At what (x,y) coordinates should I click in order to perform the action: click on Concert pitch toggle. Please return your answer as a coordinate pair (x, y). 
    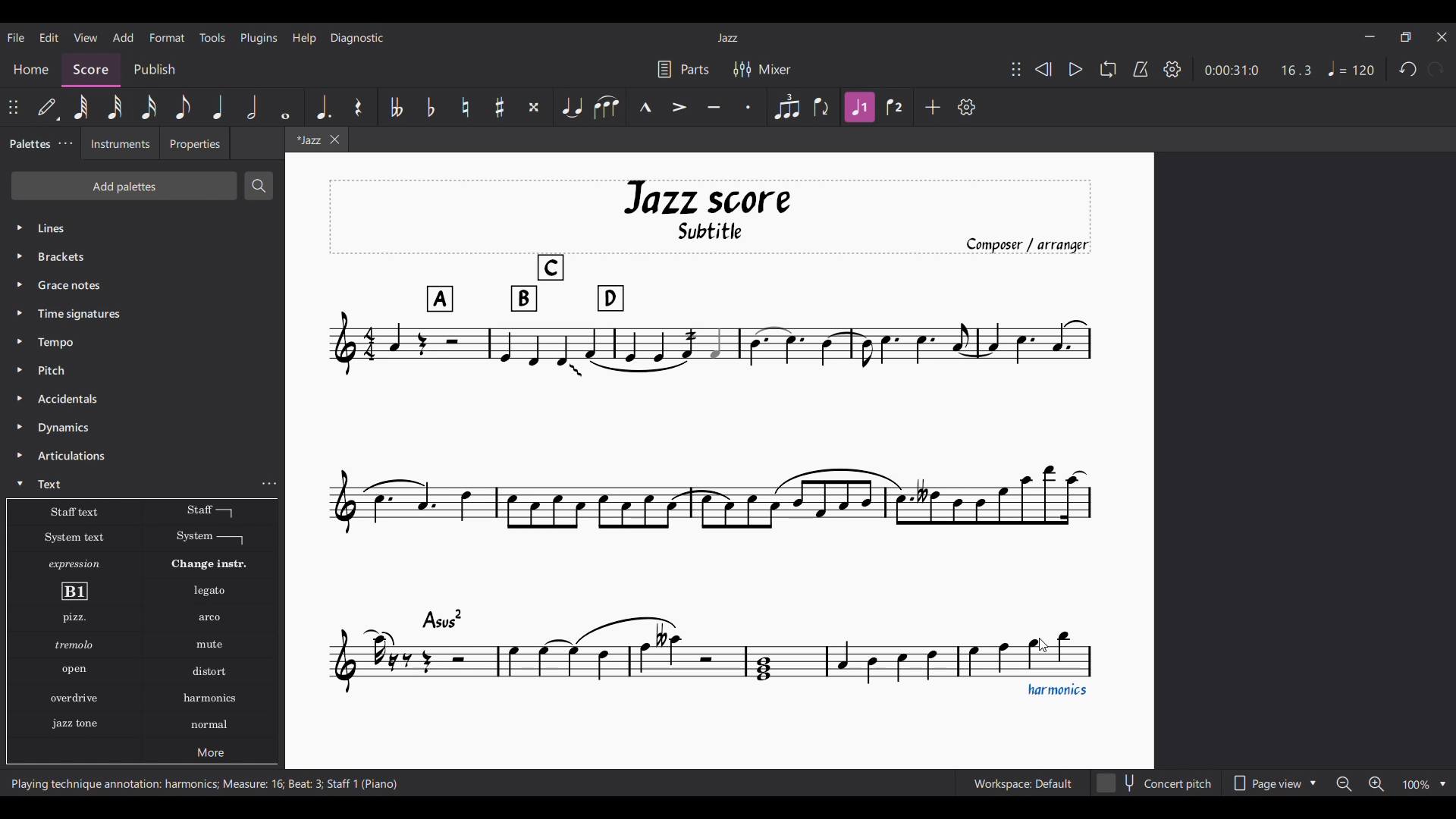
    Looking at the image, I should click on (1156, 783).